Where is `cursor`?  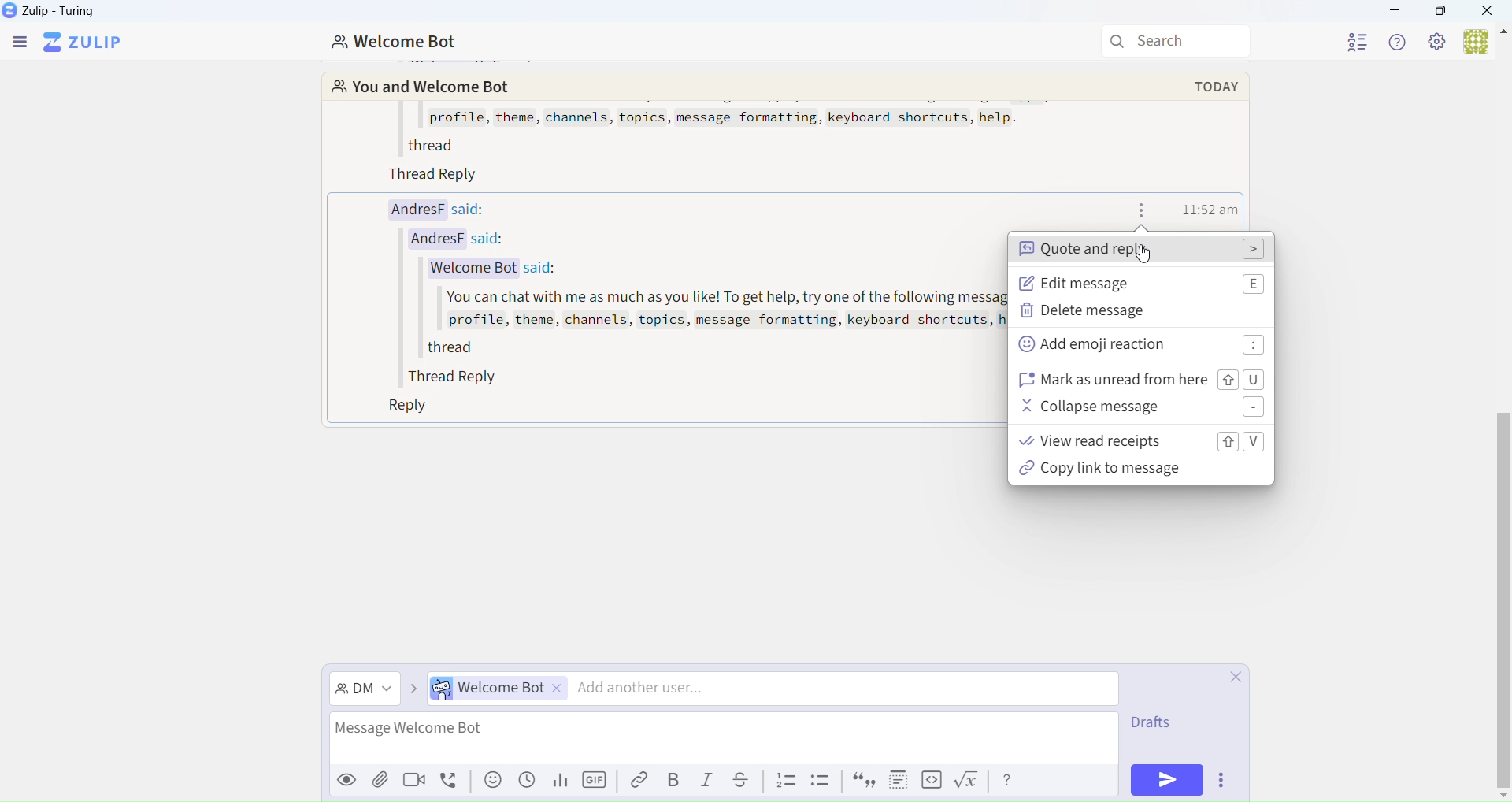
cursor is located at coordinates (1152, 258).